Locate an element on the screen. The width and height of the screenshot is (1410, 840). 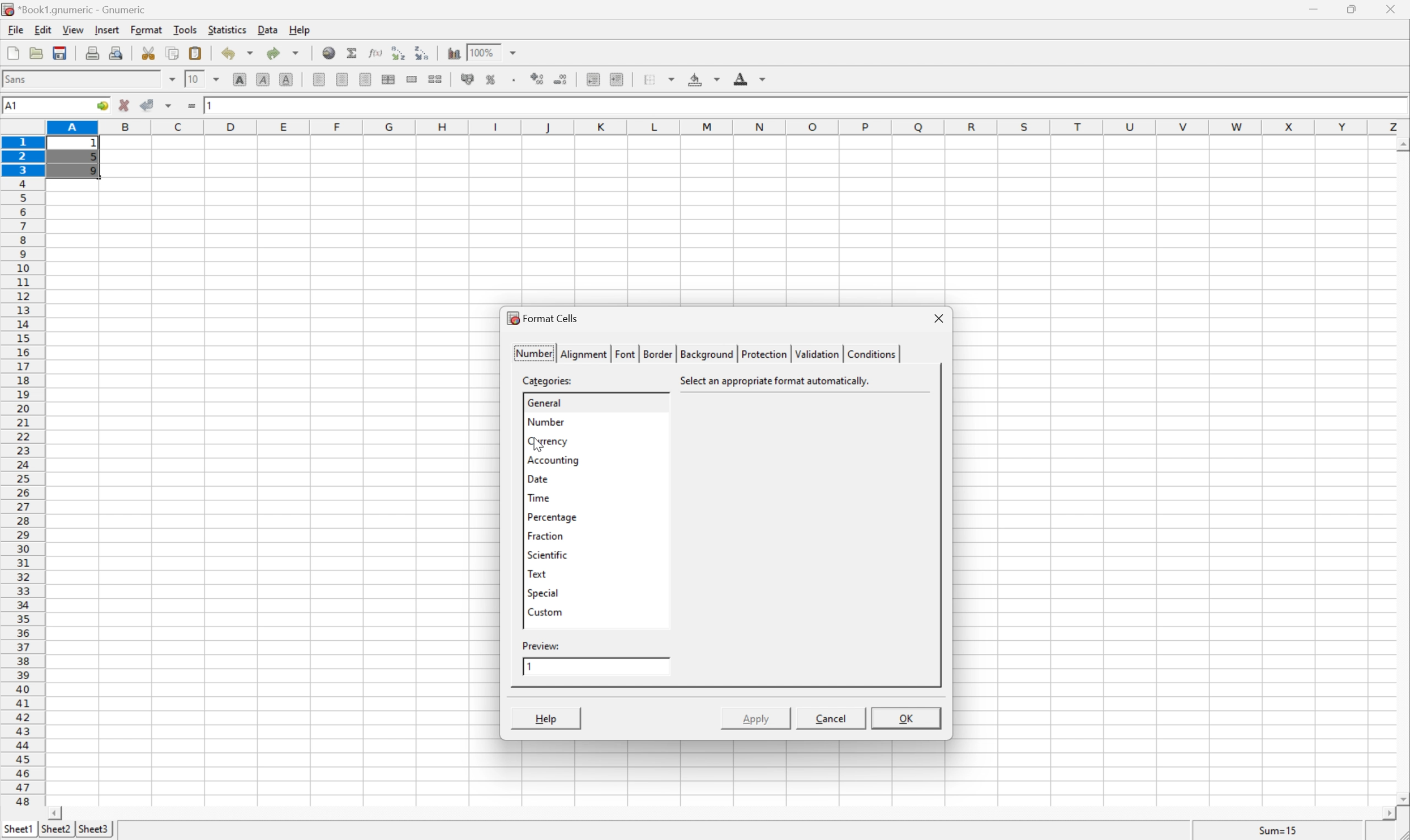
scroll right is located at coordinates (1388, 814).